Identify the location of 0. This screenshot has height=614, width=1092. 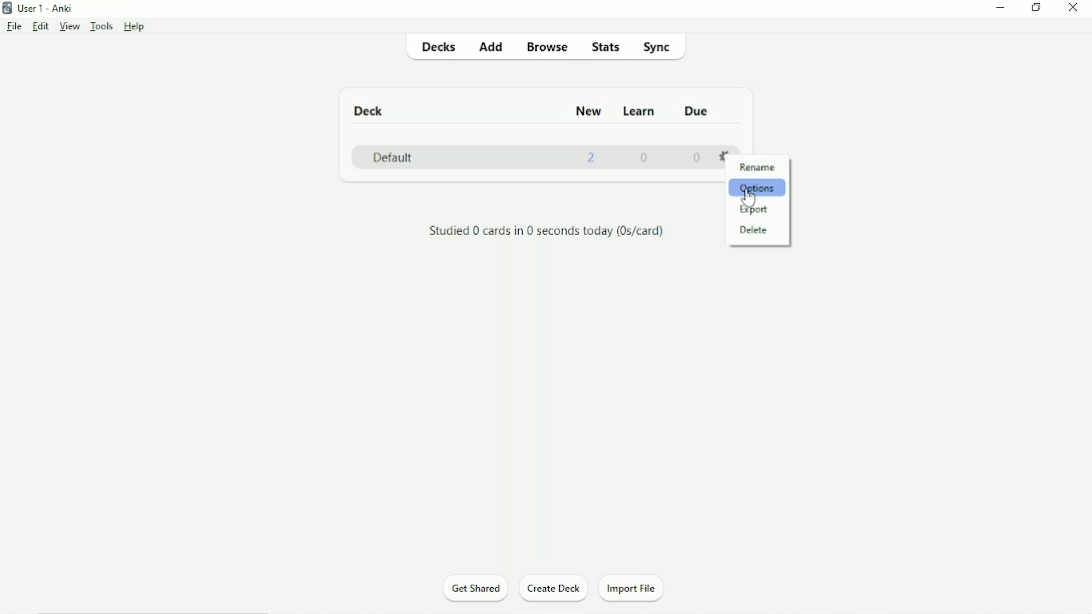
(698, 158).